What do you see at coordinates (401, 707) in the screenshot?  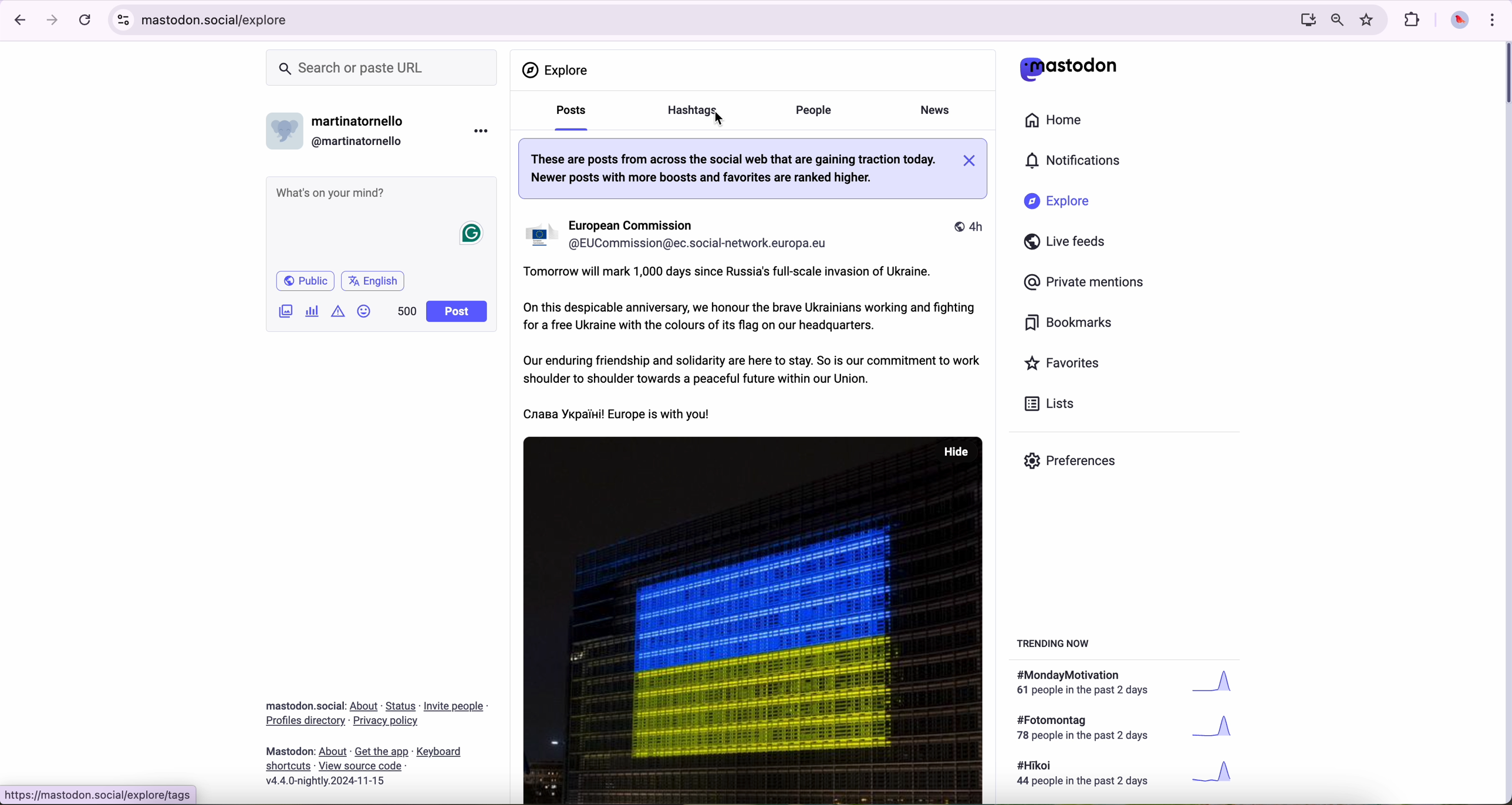 I see `link` at bounding box center [401, 707].